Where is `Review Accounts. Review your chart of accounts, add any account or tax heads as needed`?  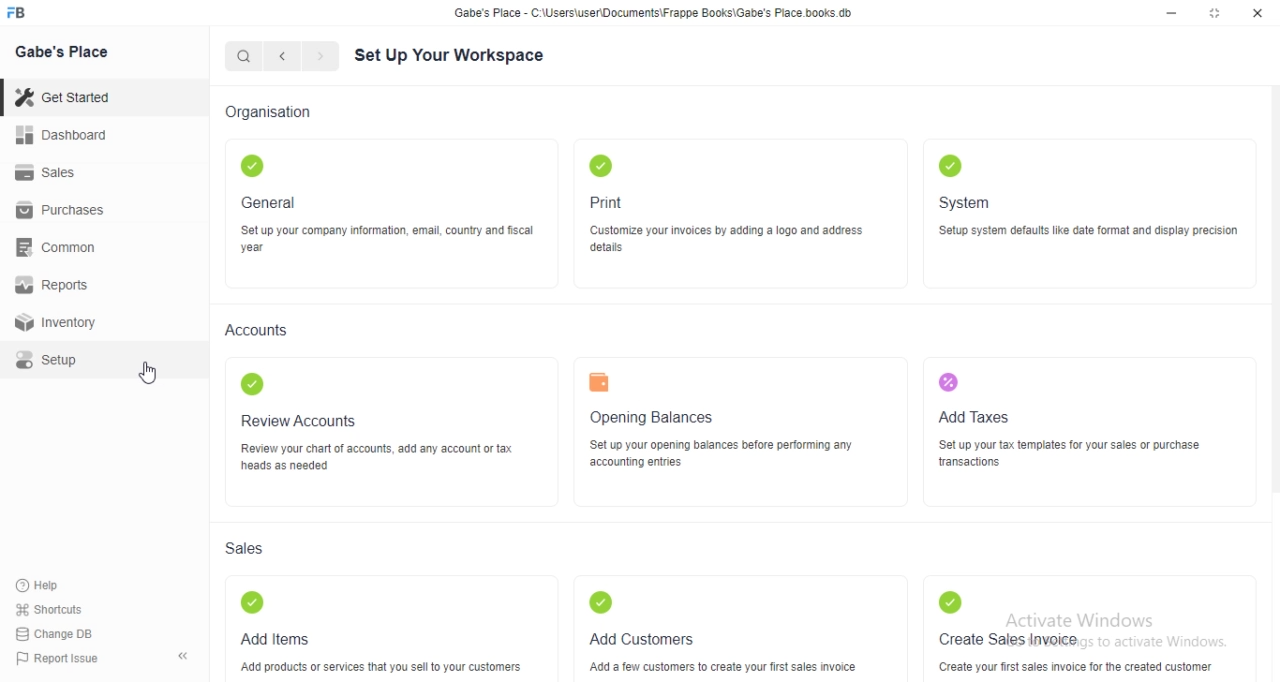
Review Accounts. Review your chart of accounts, add any account or tax heads as needed is located at coordinates (386, 429).